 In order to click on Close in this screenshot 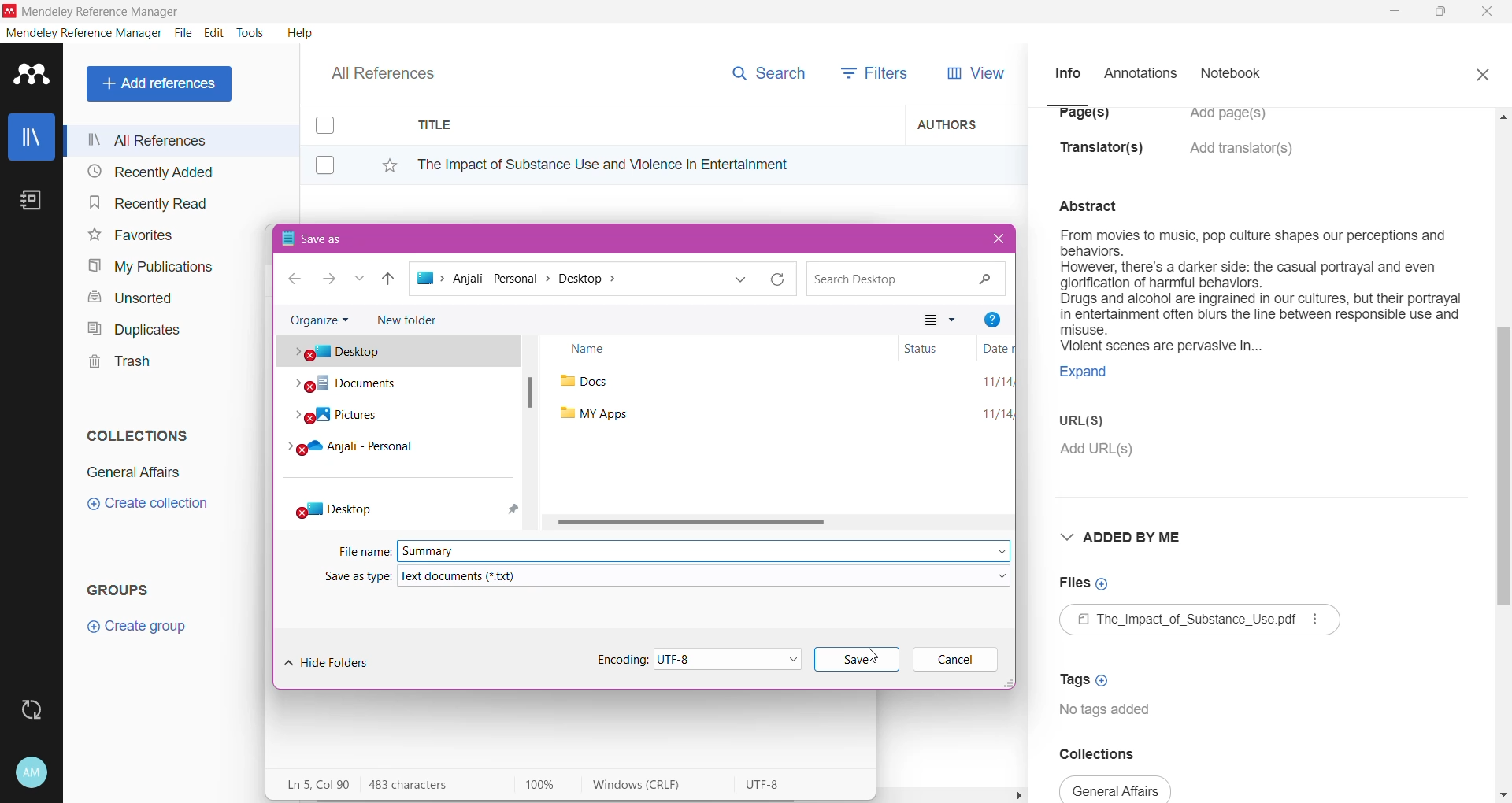, I will do `click(1482, 72)`.